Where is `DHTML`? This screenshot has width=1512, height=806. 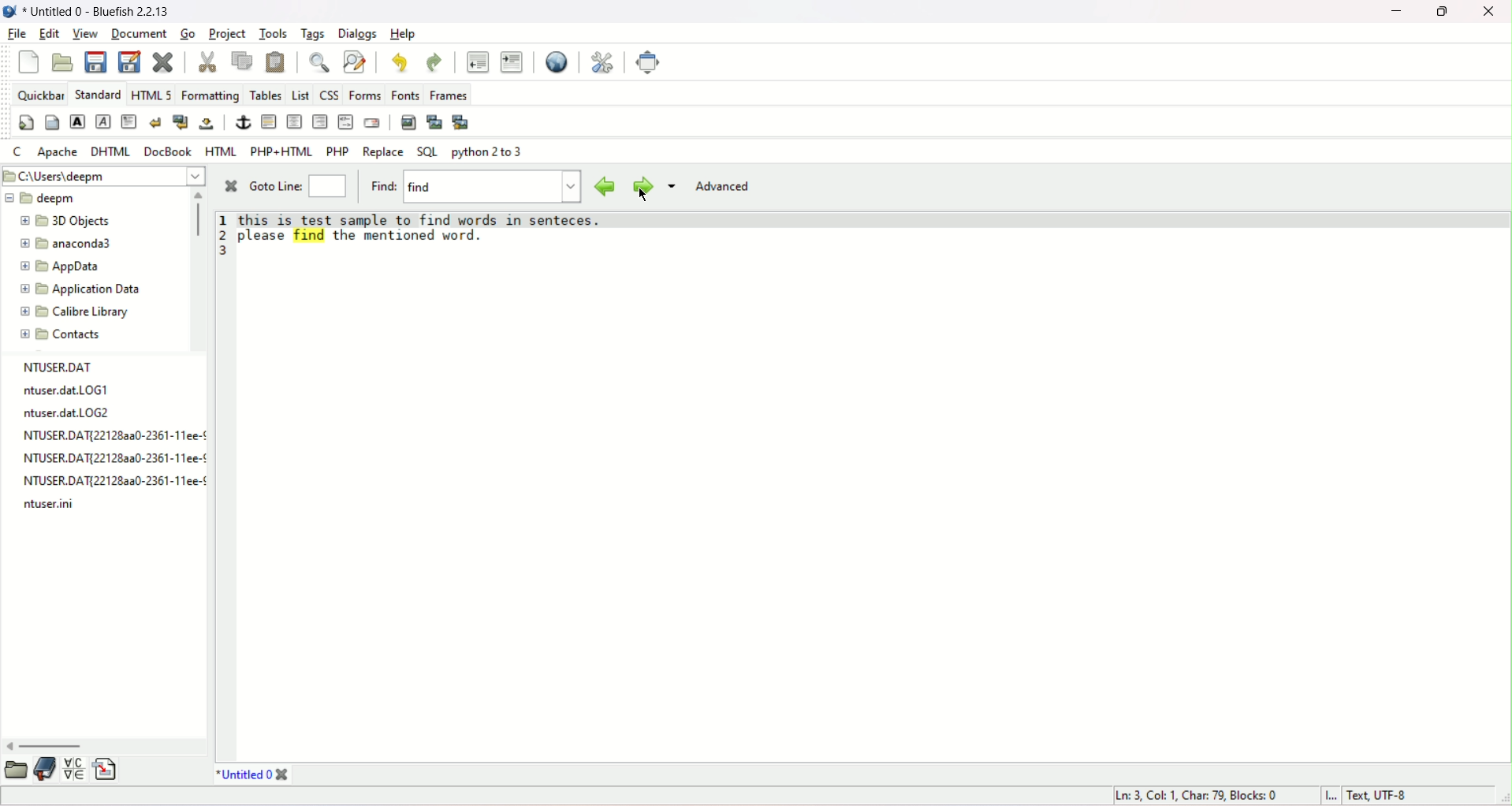 DHTML is located at coordinates (111, 151).